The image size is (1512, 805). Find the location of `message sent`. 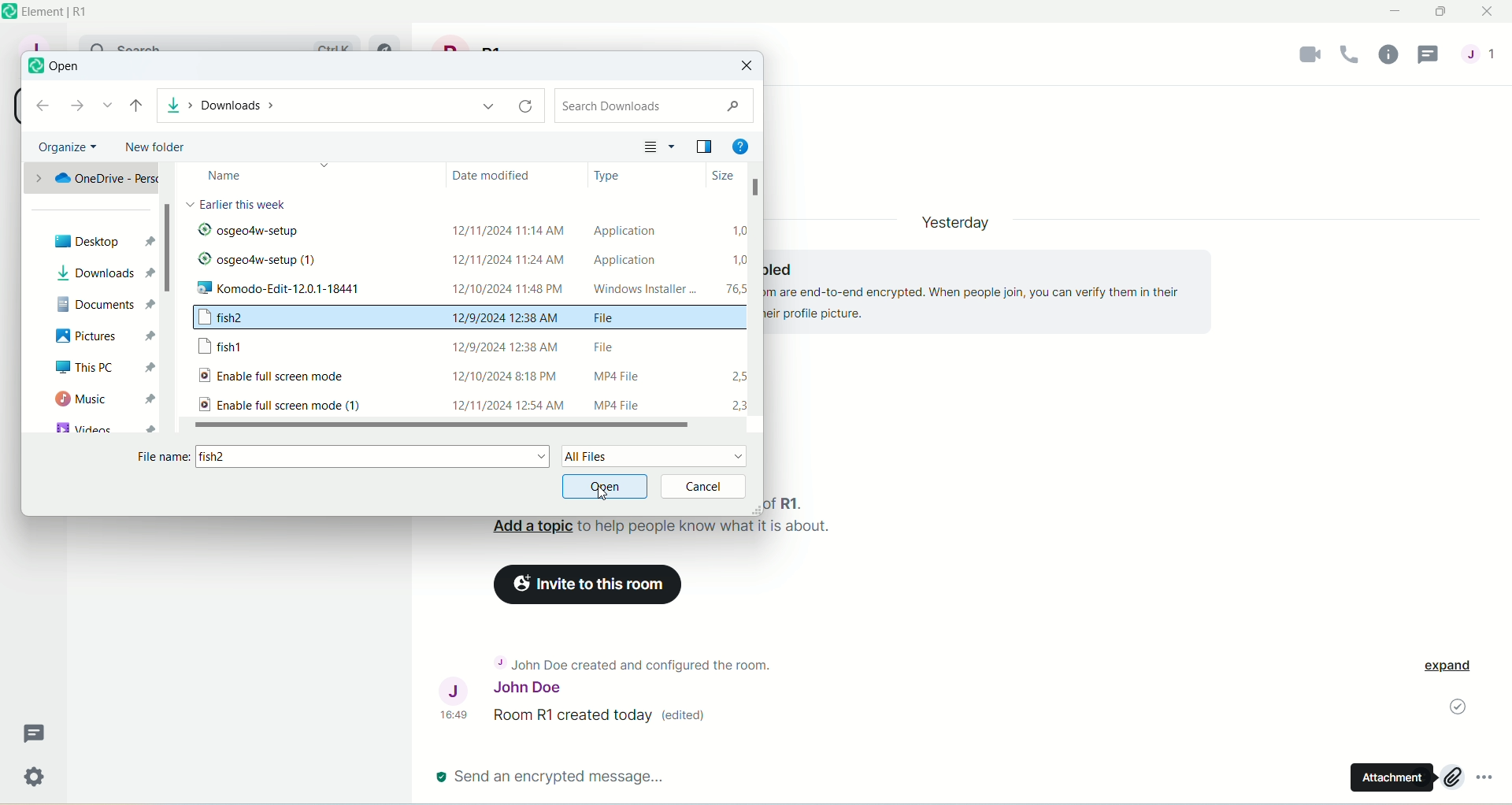

message sent is located at coordinates (1455, 708).